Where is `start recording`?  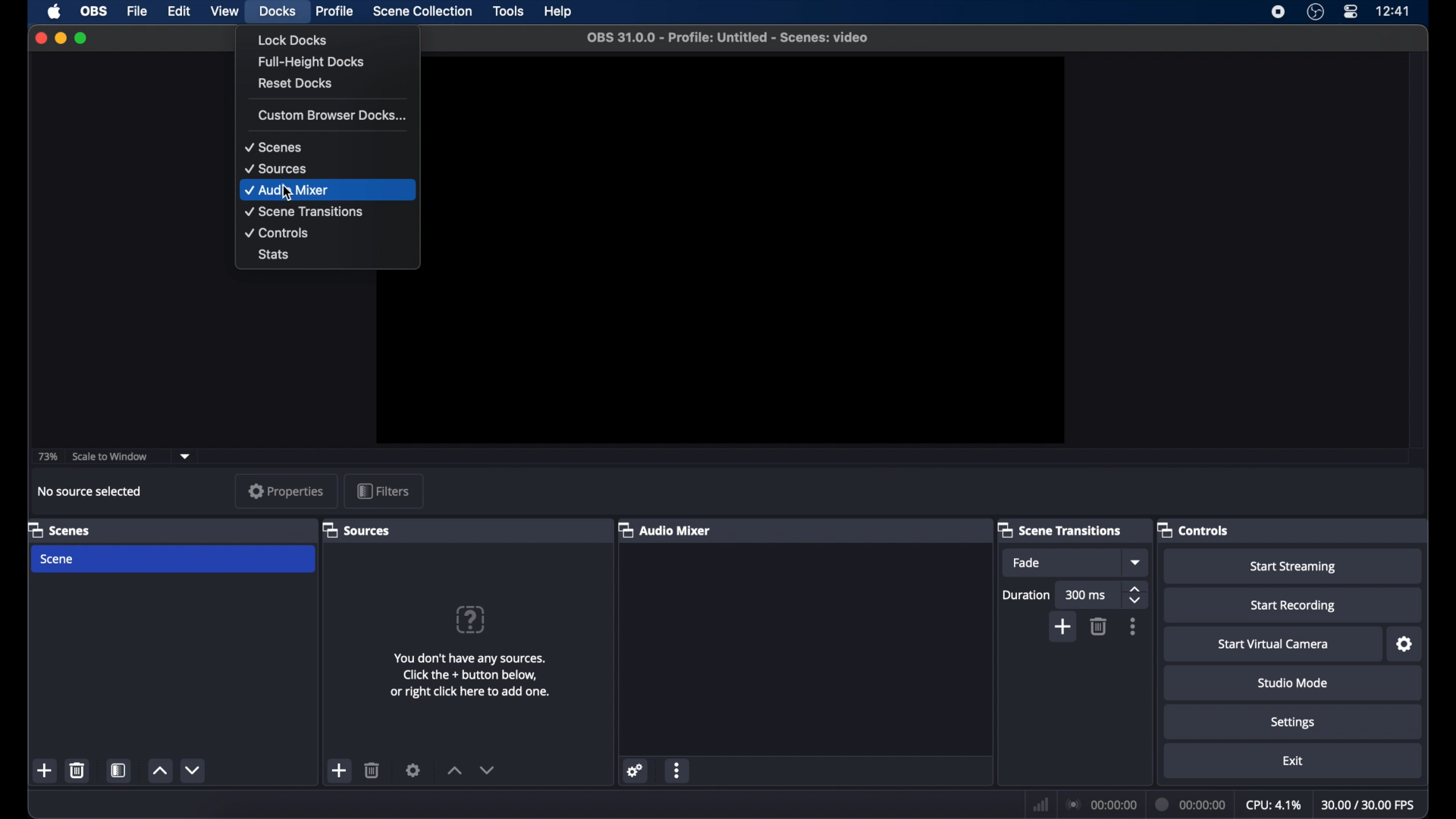
start recording is located at coordinates (1294, 606).